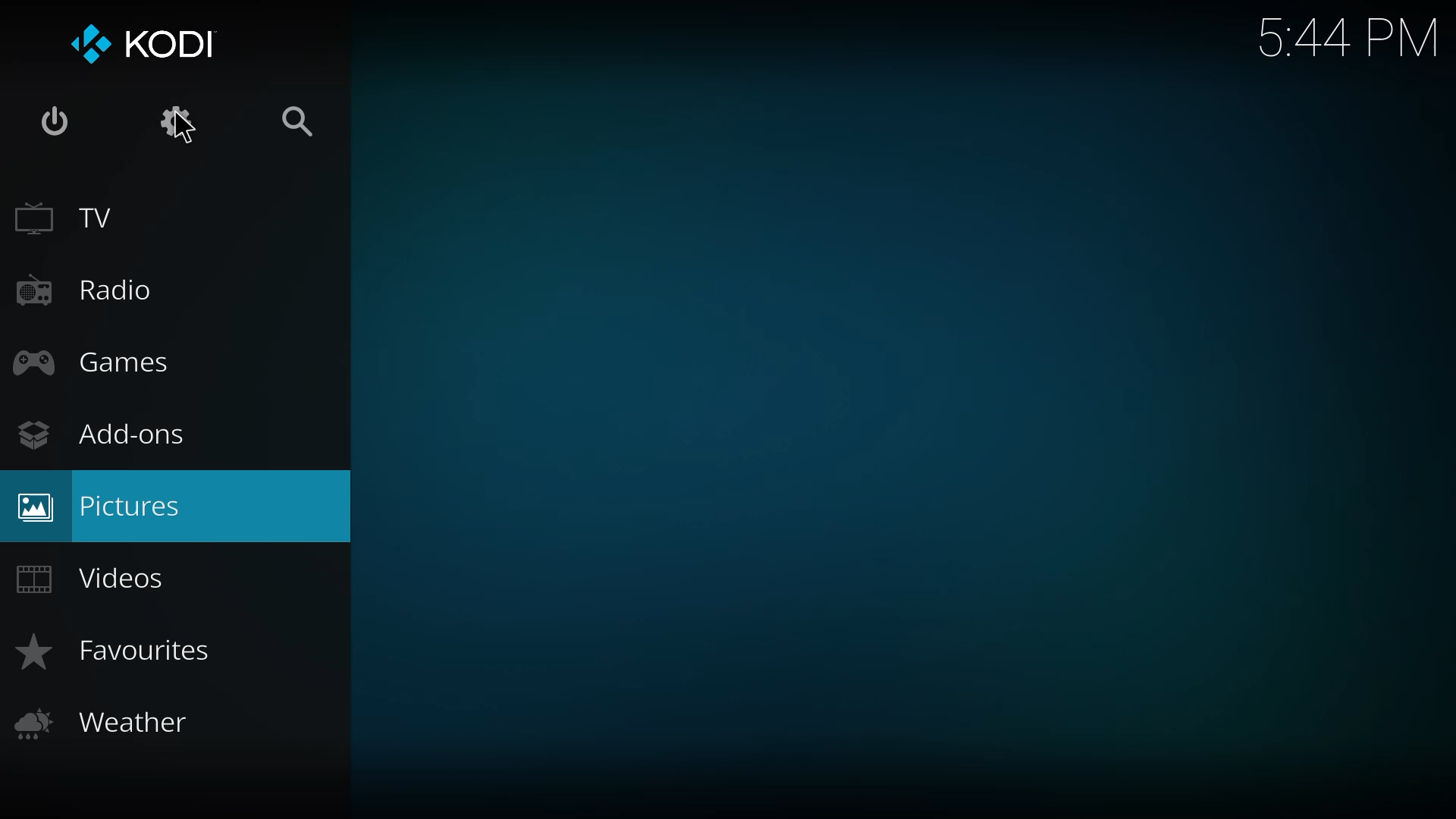  I want to click on power, so click(55, 121).